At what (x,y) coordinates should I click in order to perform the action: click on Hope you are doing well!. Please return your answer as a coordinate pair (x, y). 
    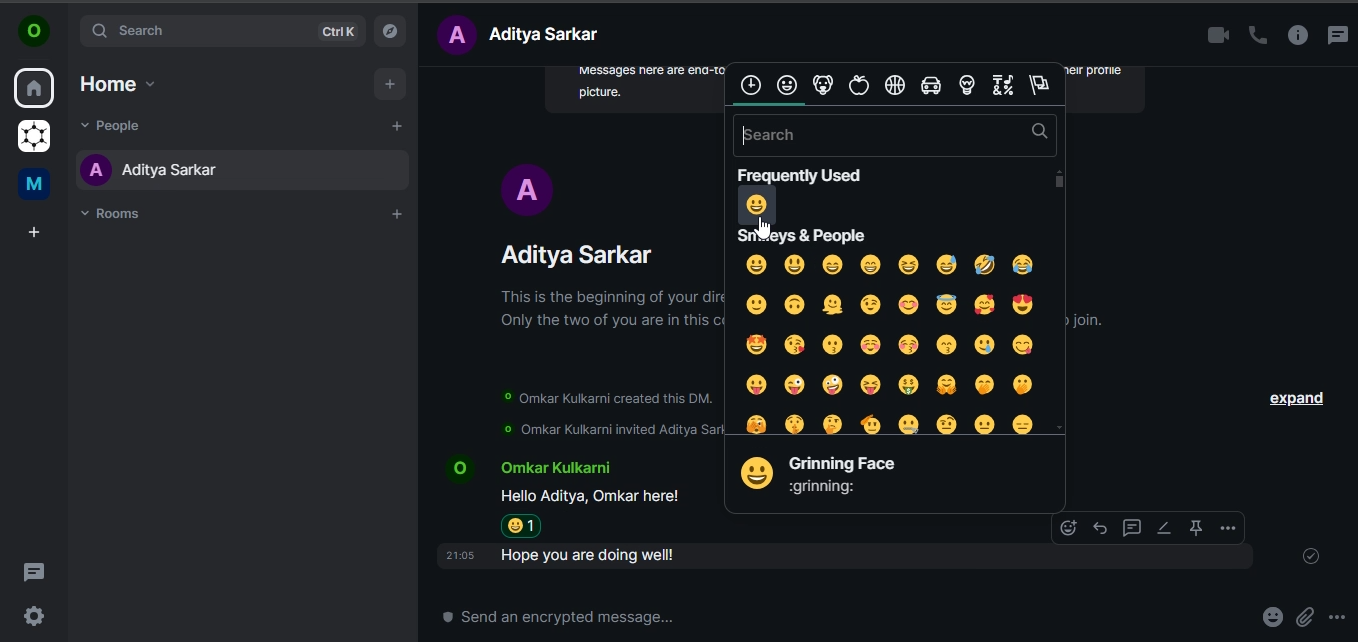
    Looking at the image, I should click on (597, 556).